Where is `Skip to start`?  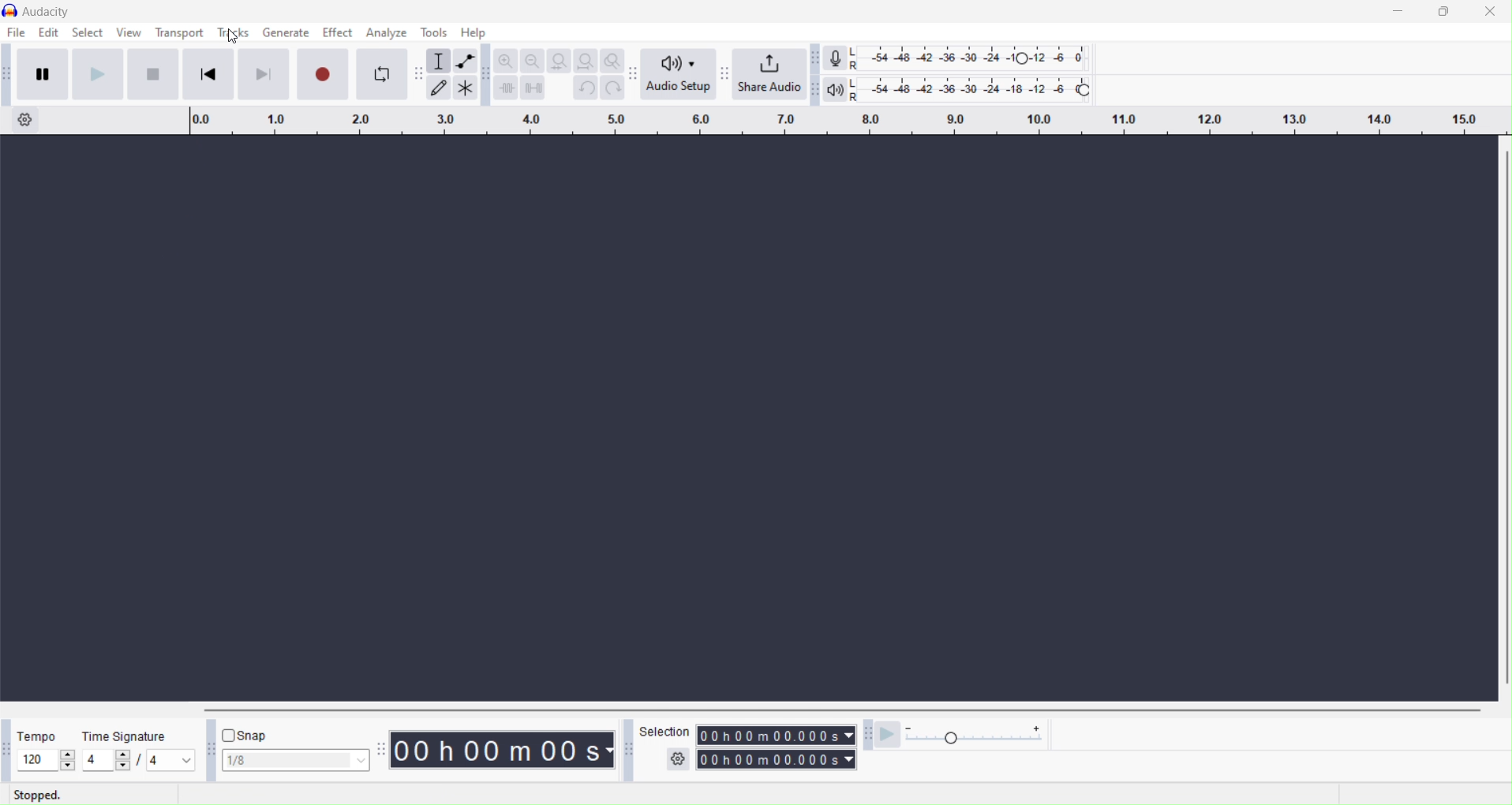 Skip to start is located at coordinates (153, 74).